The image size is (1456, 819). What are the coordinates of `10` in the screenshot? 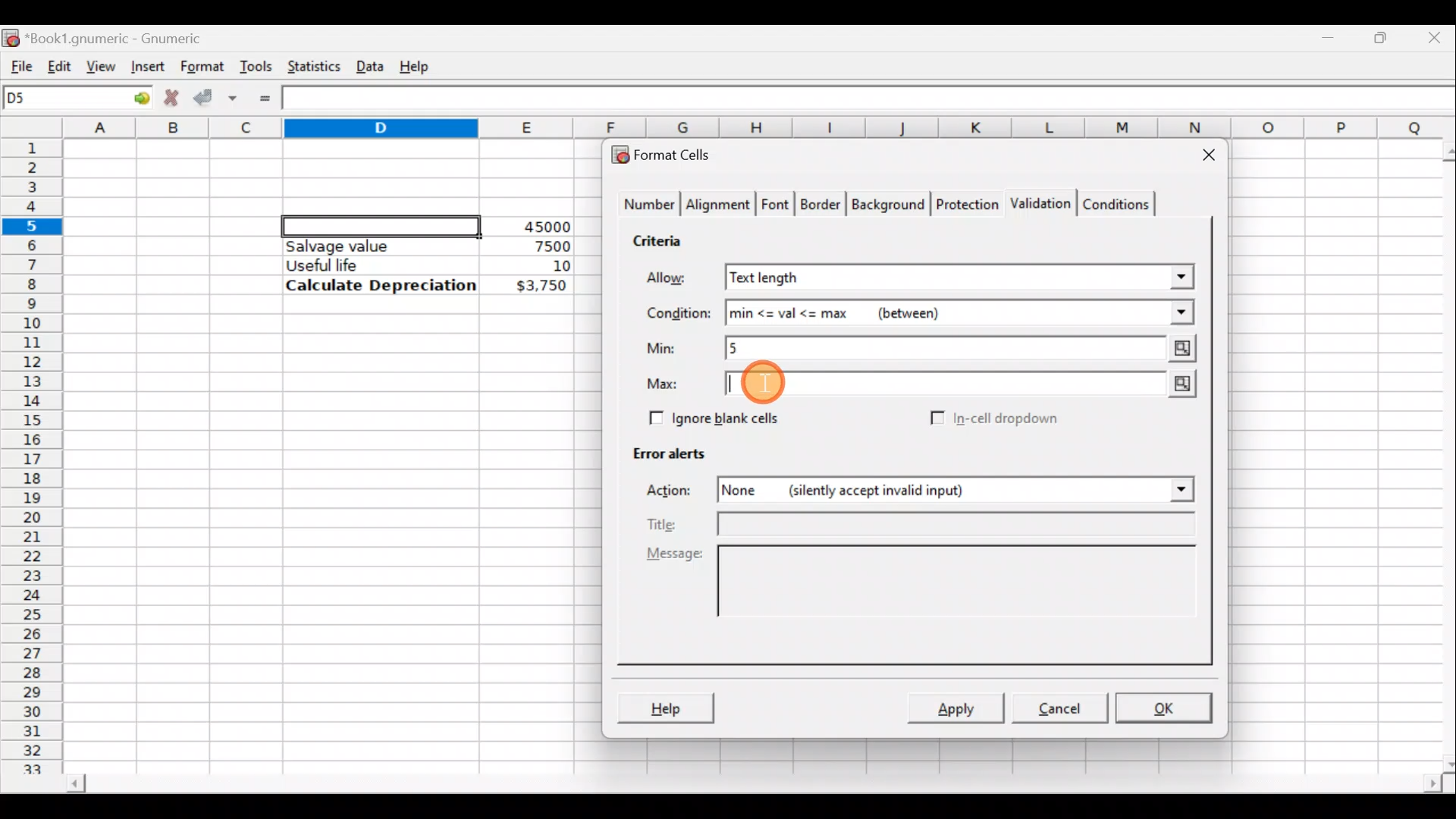 It's located at (543, 266).